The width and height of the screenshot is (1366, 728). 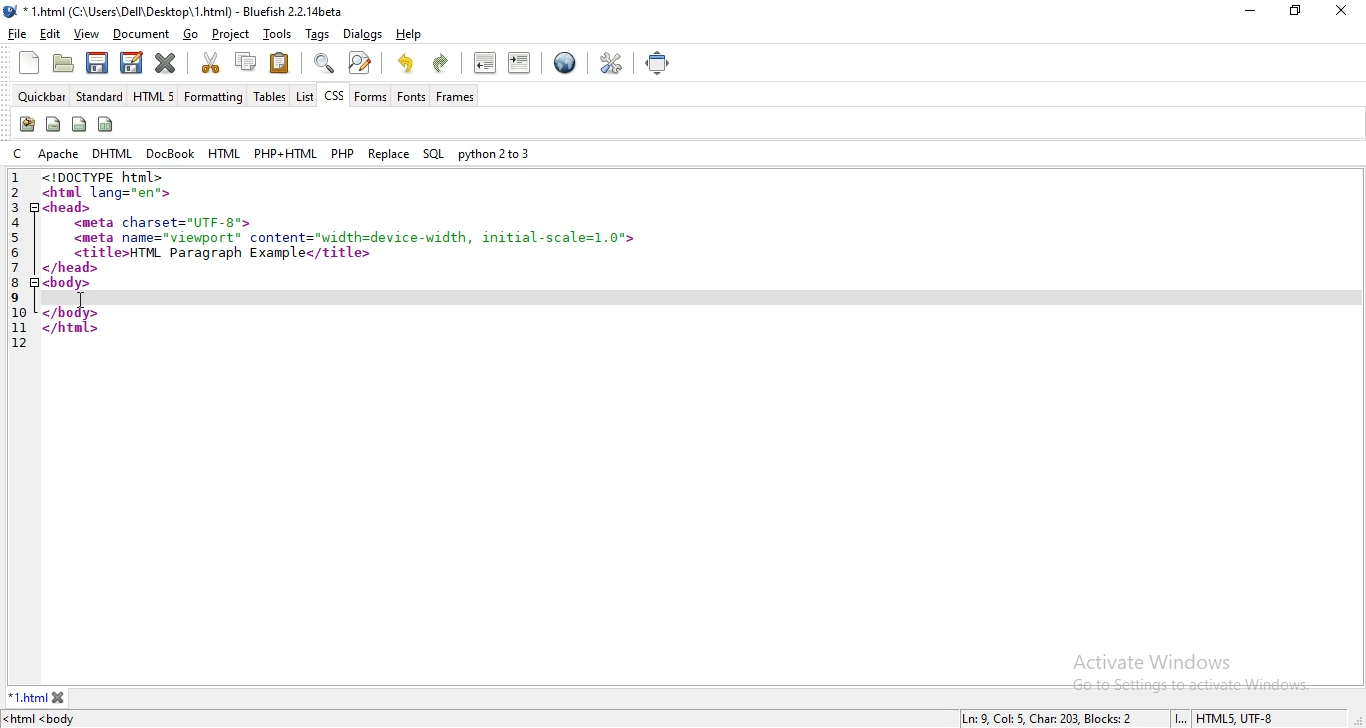 I want to click on docbook, so click(x=170, y=154).